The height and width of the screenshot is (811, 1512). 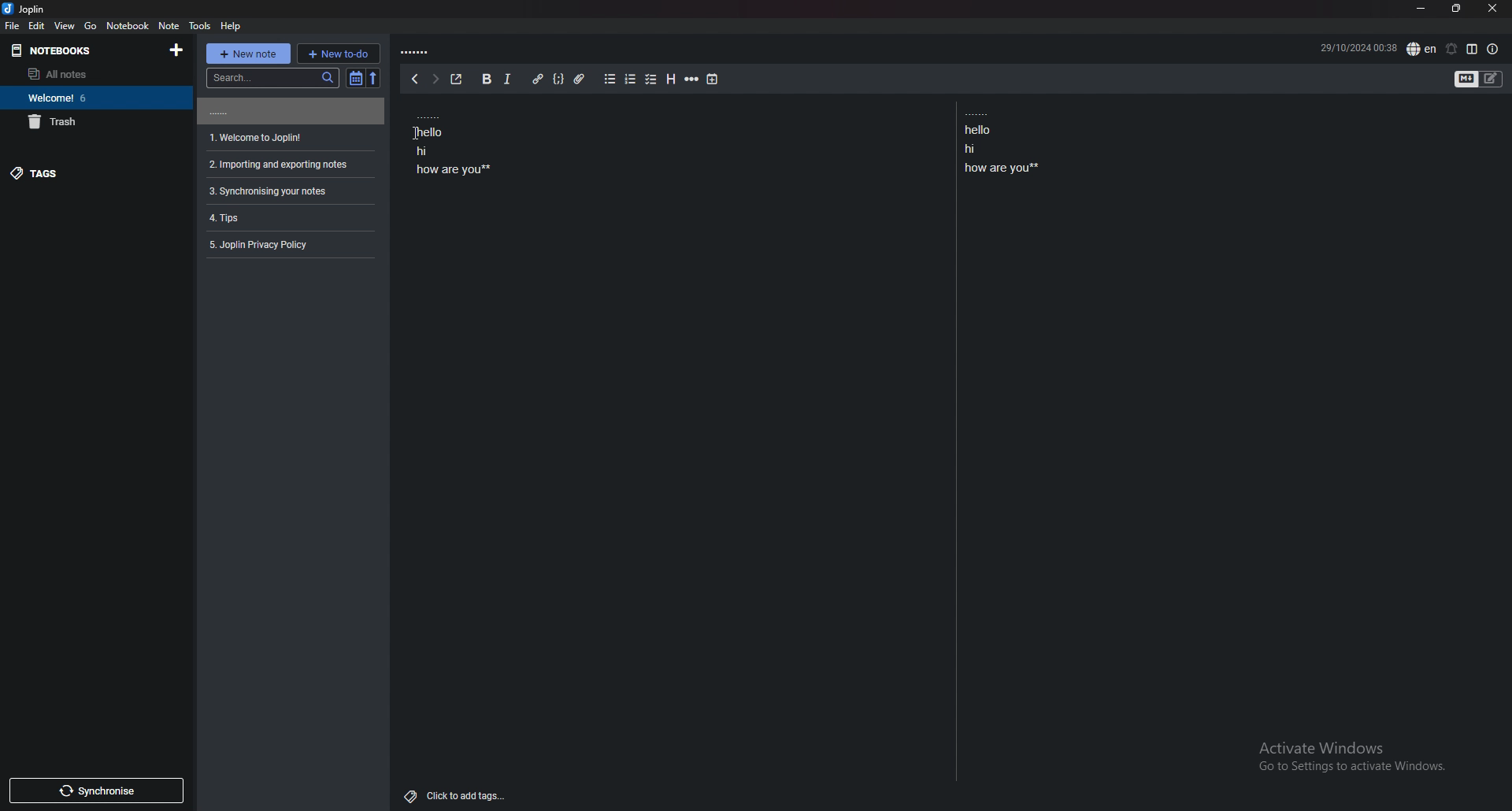 What do you see at coordinates (1492, 50) in the screenshot?
I see `note properties` at bounding box center [1492, 50].